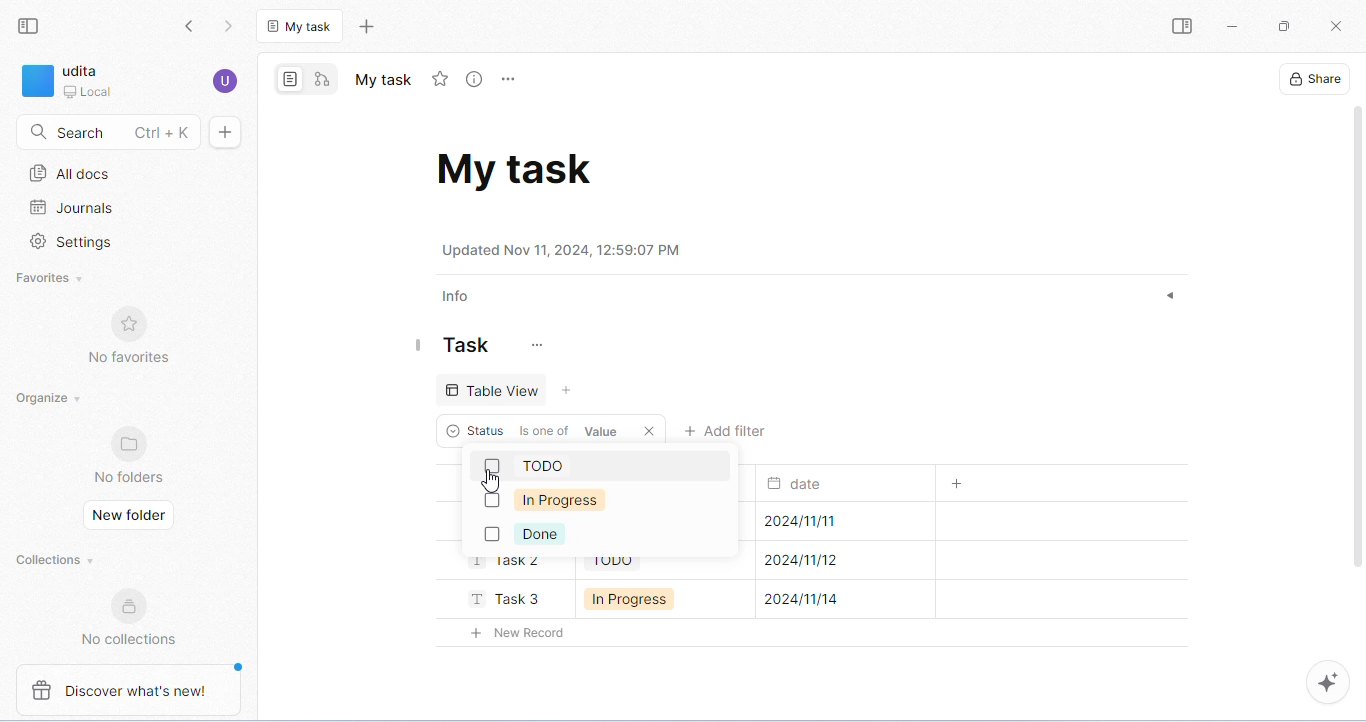 The image size is (1366, 722). Describe the element at coordinates (493, 535) in the screenshot. I see `checkbox` at that location.